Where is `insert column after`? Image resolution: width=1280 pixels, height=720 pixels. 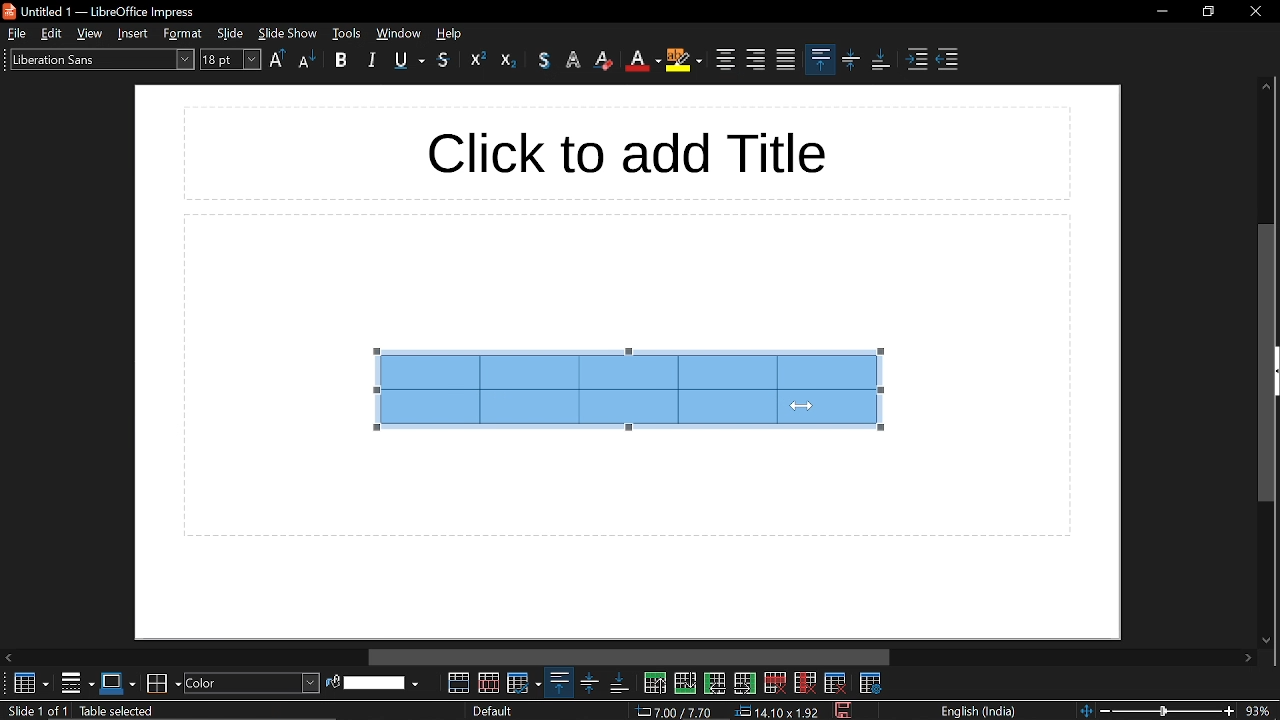 insert column after is located at coordinates (746, 684).